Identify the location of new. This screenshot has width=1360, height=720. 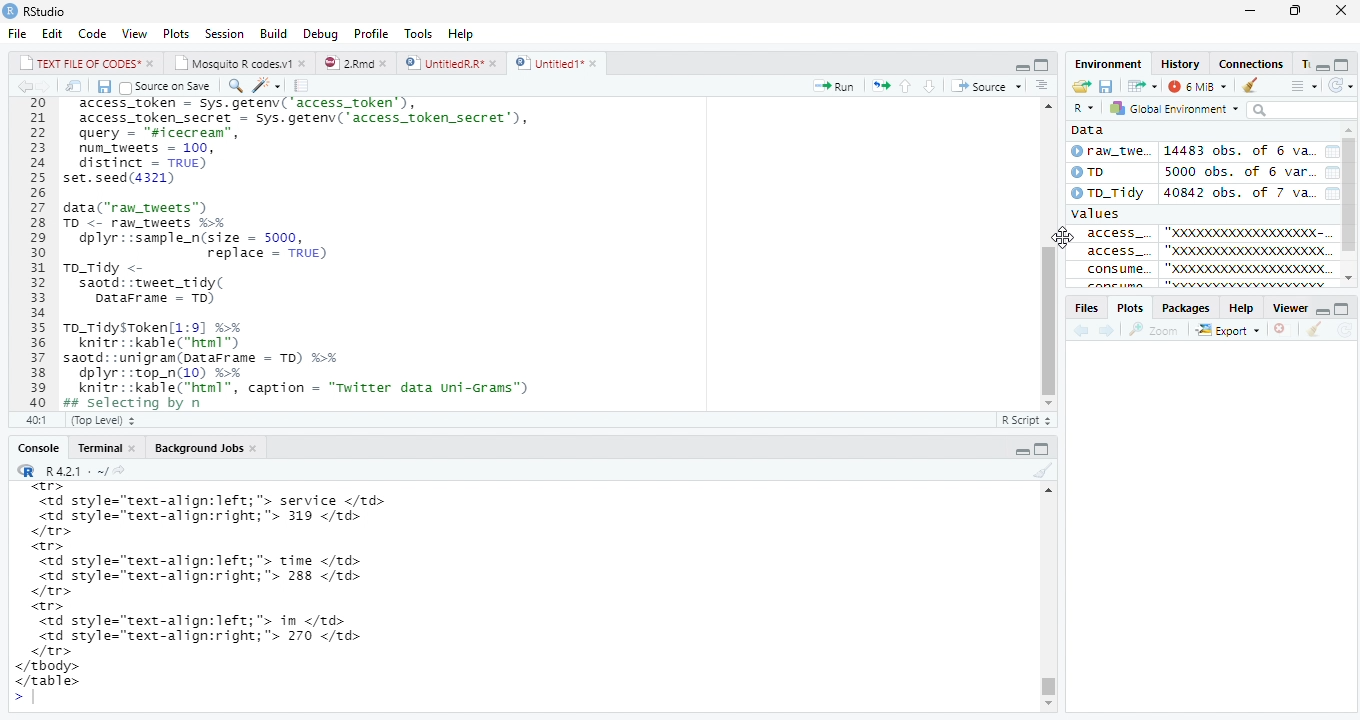
(1085, 85).